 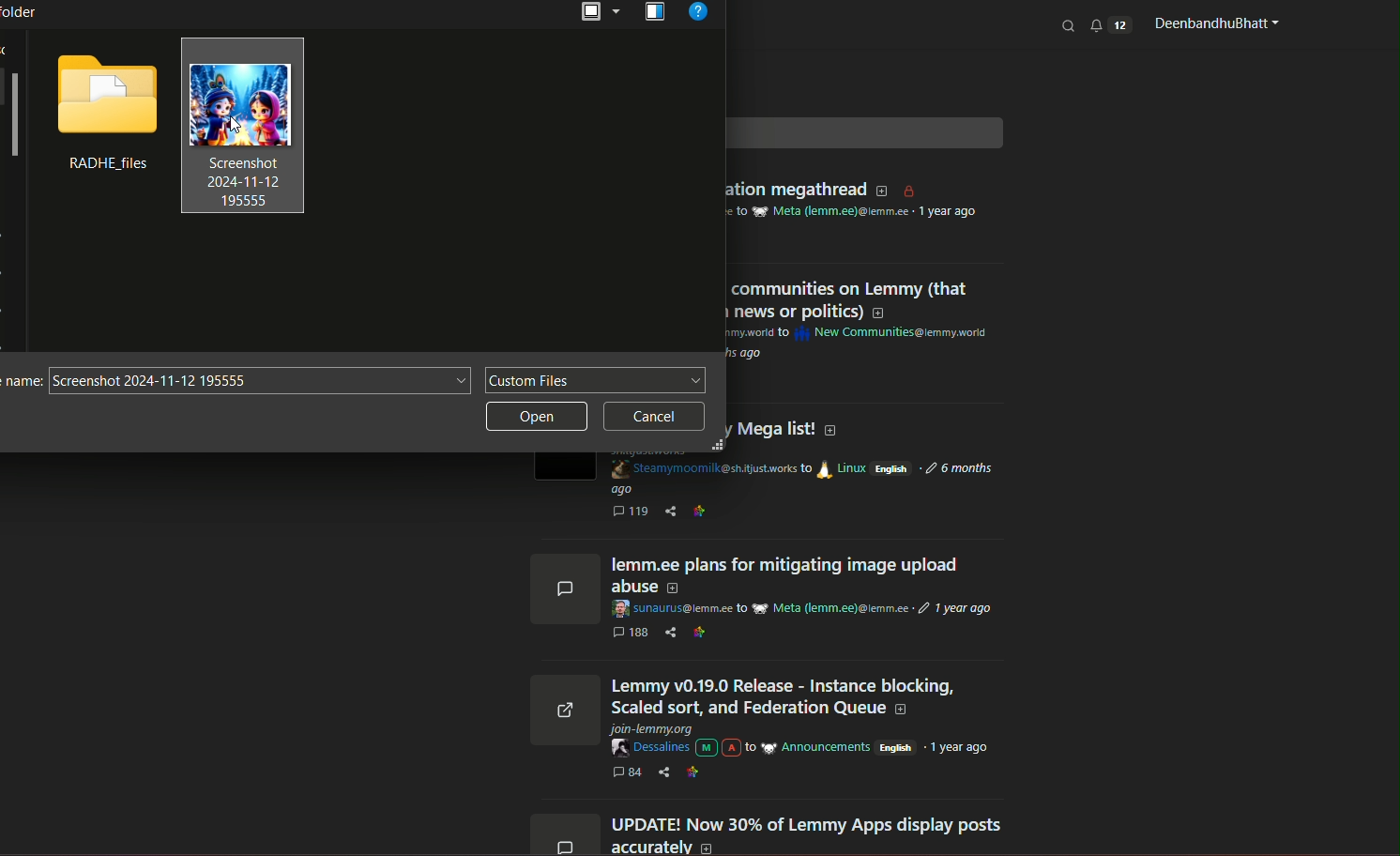 I want to click on notification, so click(x=1110, y=24).